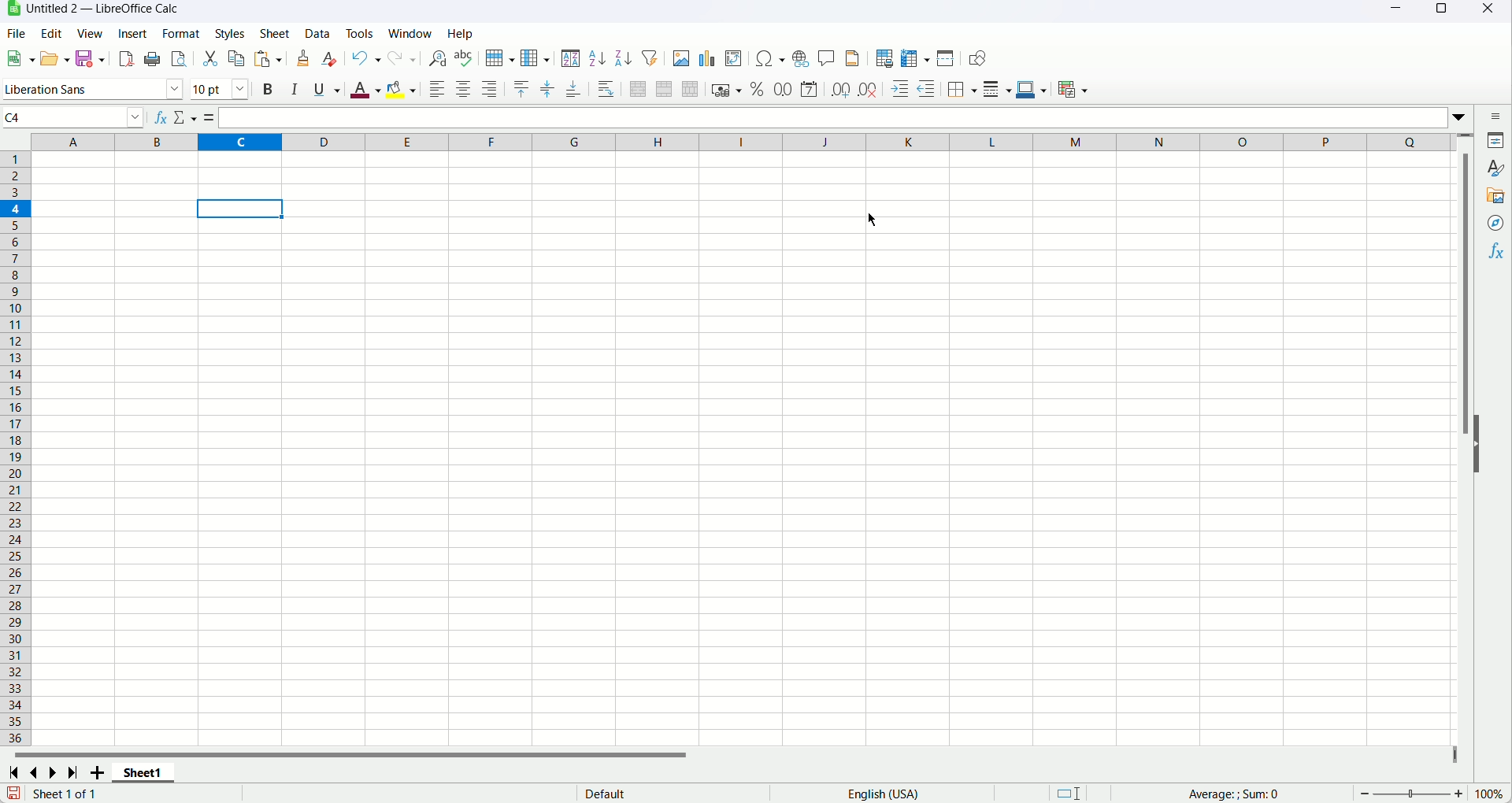 This screenshot has width=1512, height=803. What do you see at coordinates (74, 773) in the screenshot?
I see `Last sheet` at bounding box center [74, 773].